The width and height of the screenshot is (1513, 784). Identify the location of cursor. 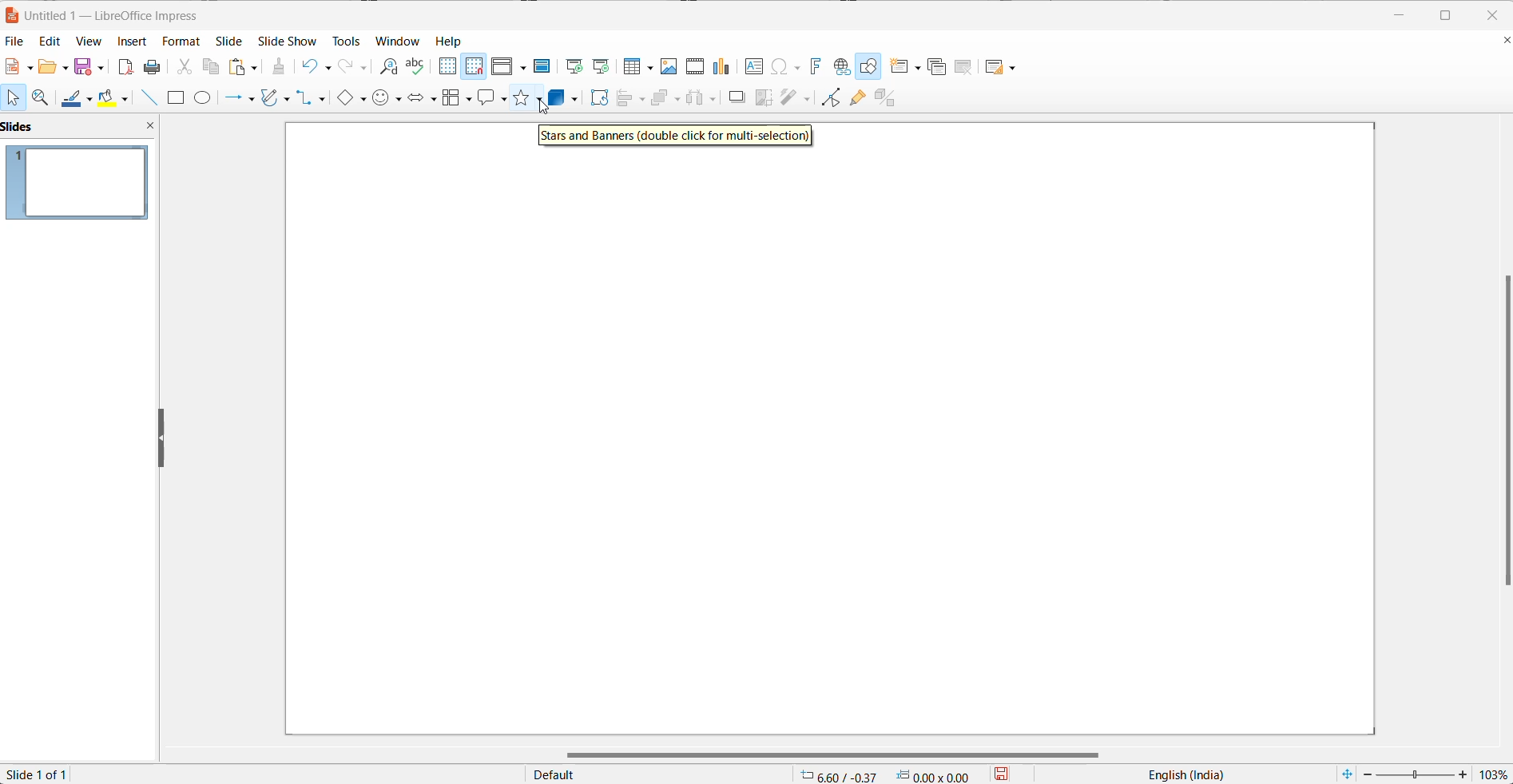
(538, 108).